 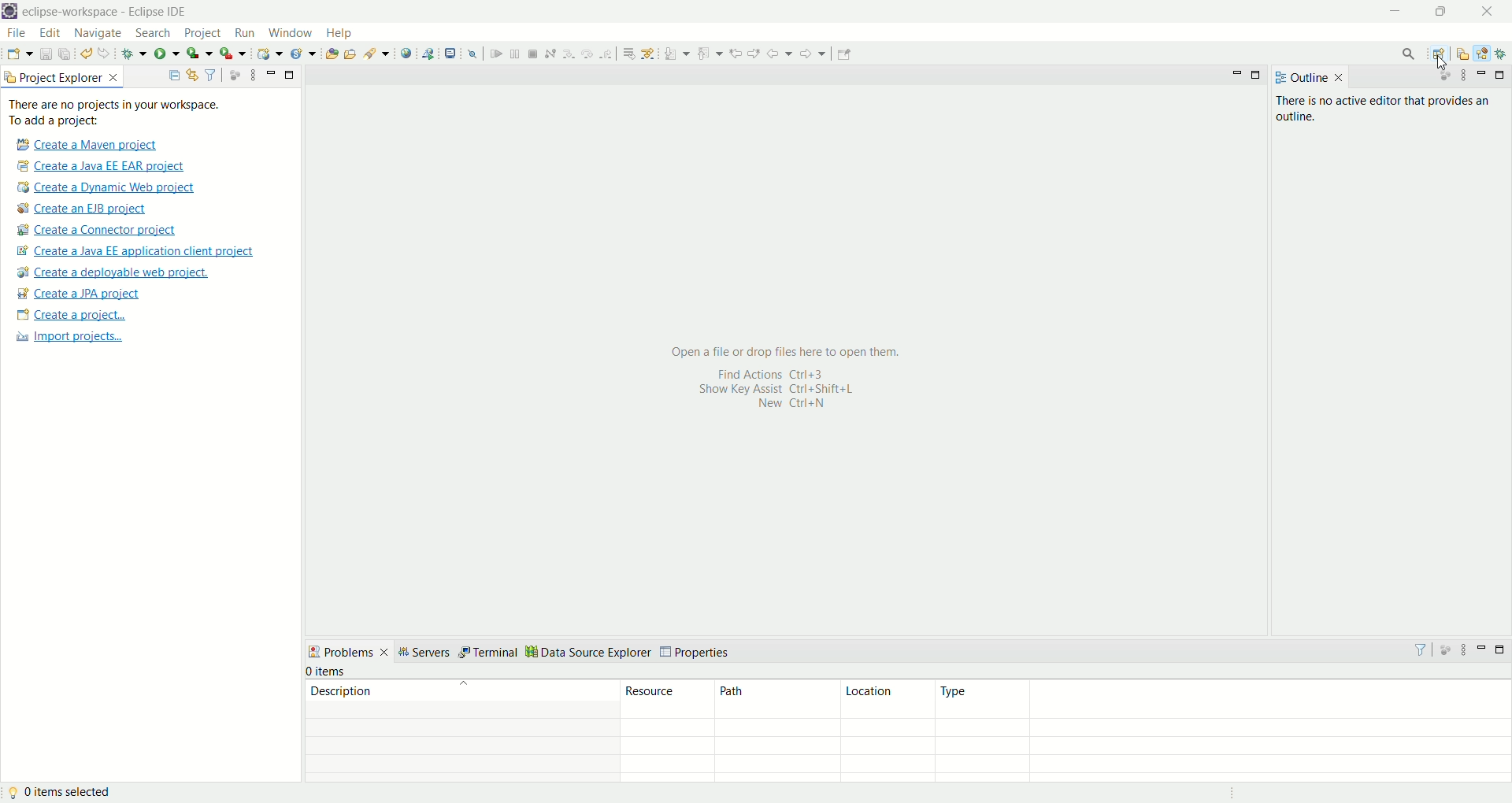 What do you see at coordinates (1499, 76) in the screenshot?
I see `maximize` at bounding box center [1499, 76].